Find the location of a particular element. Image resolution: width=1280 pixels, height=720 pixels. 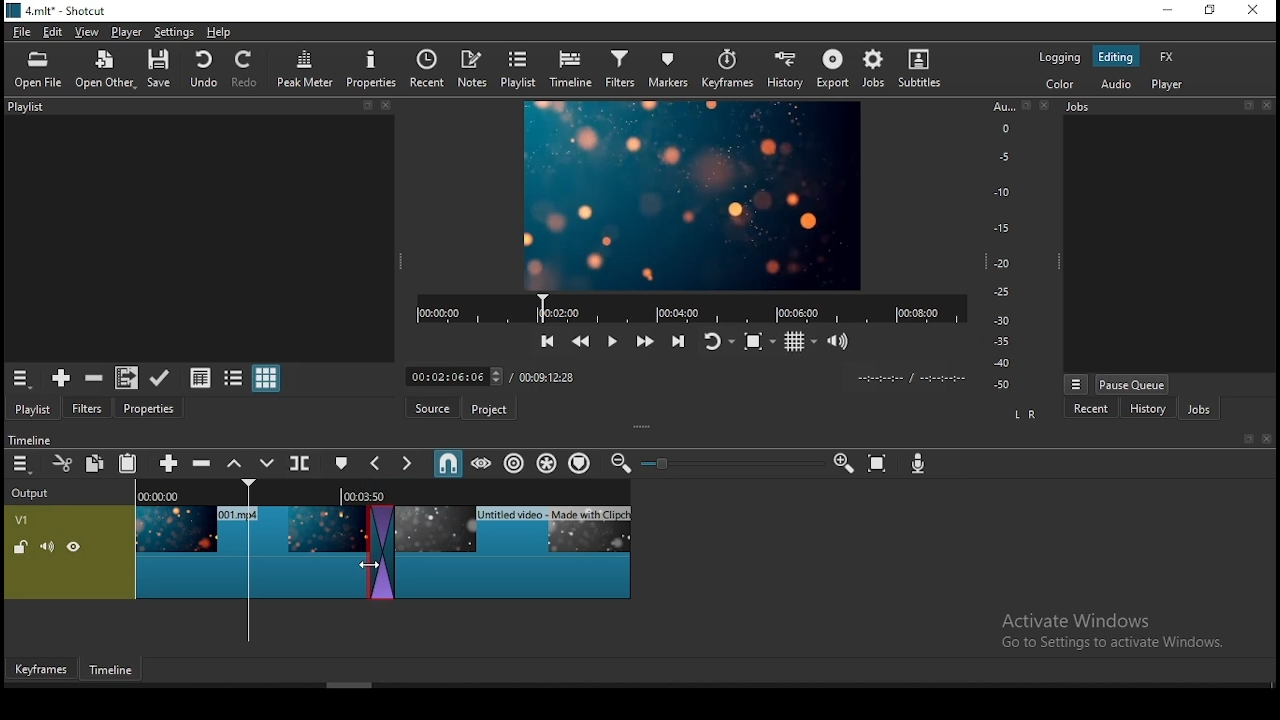

toggle grids display is located at coordinates (800, 342).